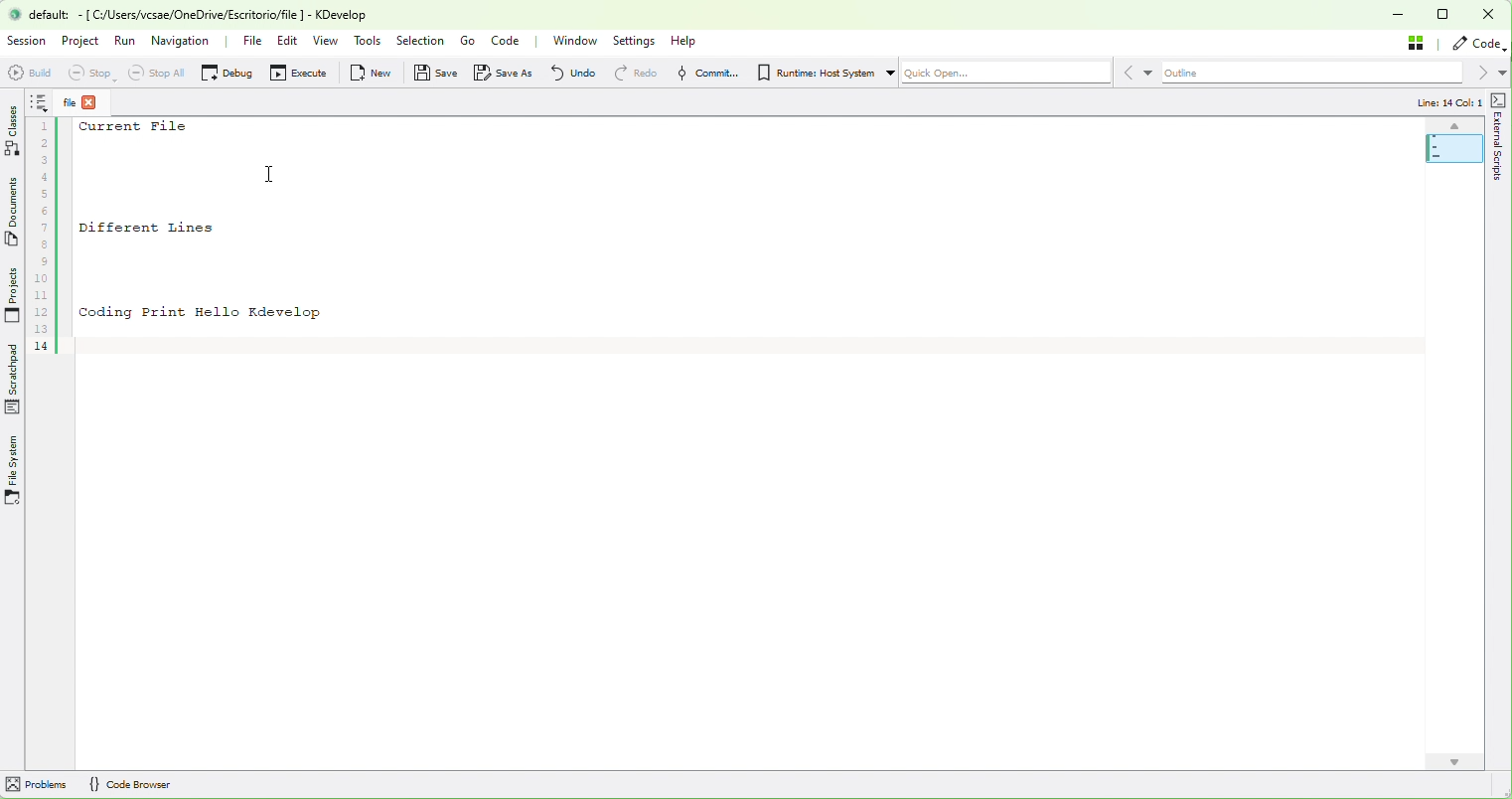  I want to click on Settings, so click(638, 42).